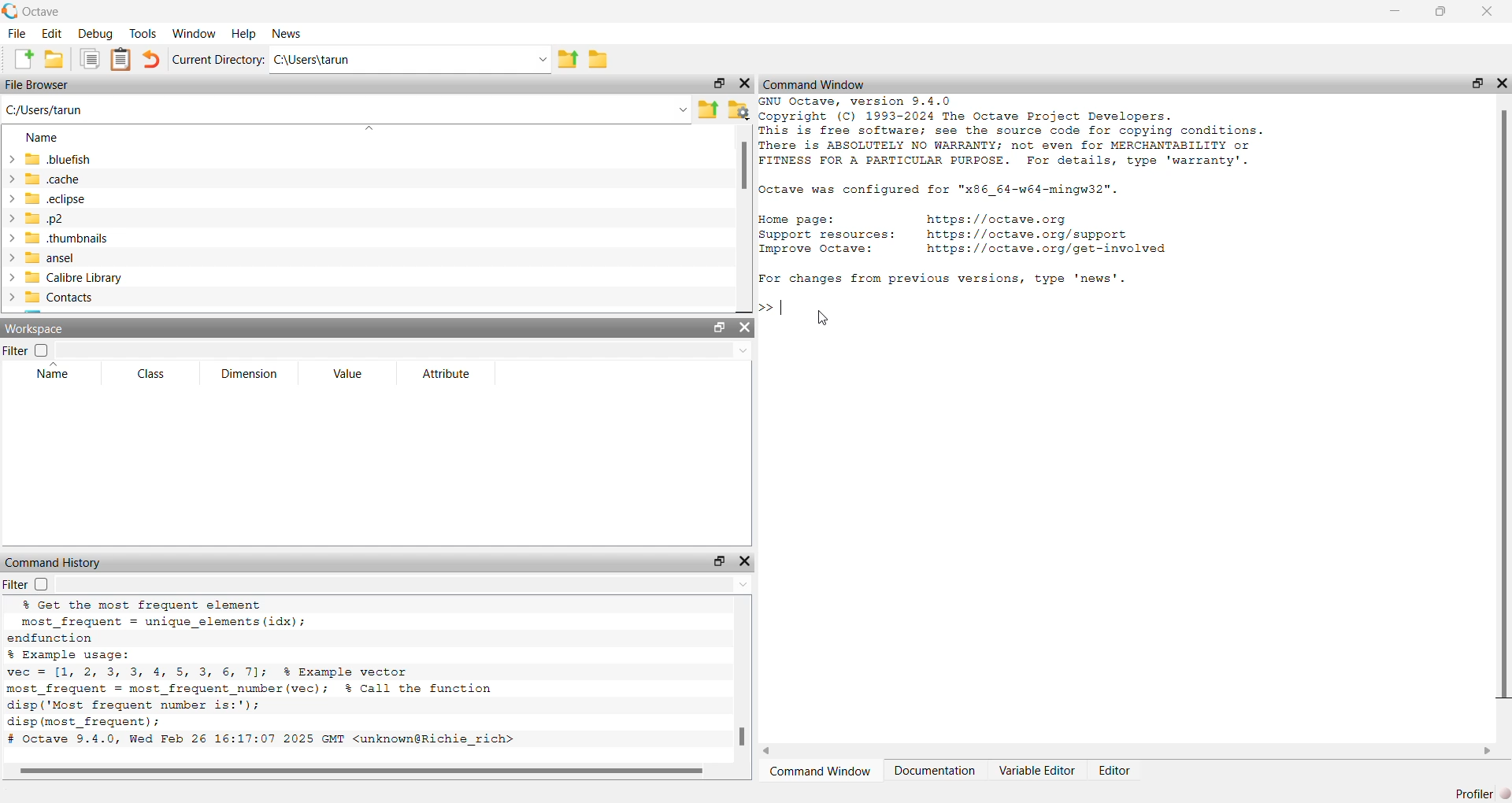 This screenshot has height=803, width=1512. What do you see at coordinates (349, 372) in the screenshot?
I see `Value` at bounding box center [349, 372].